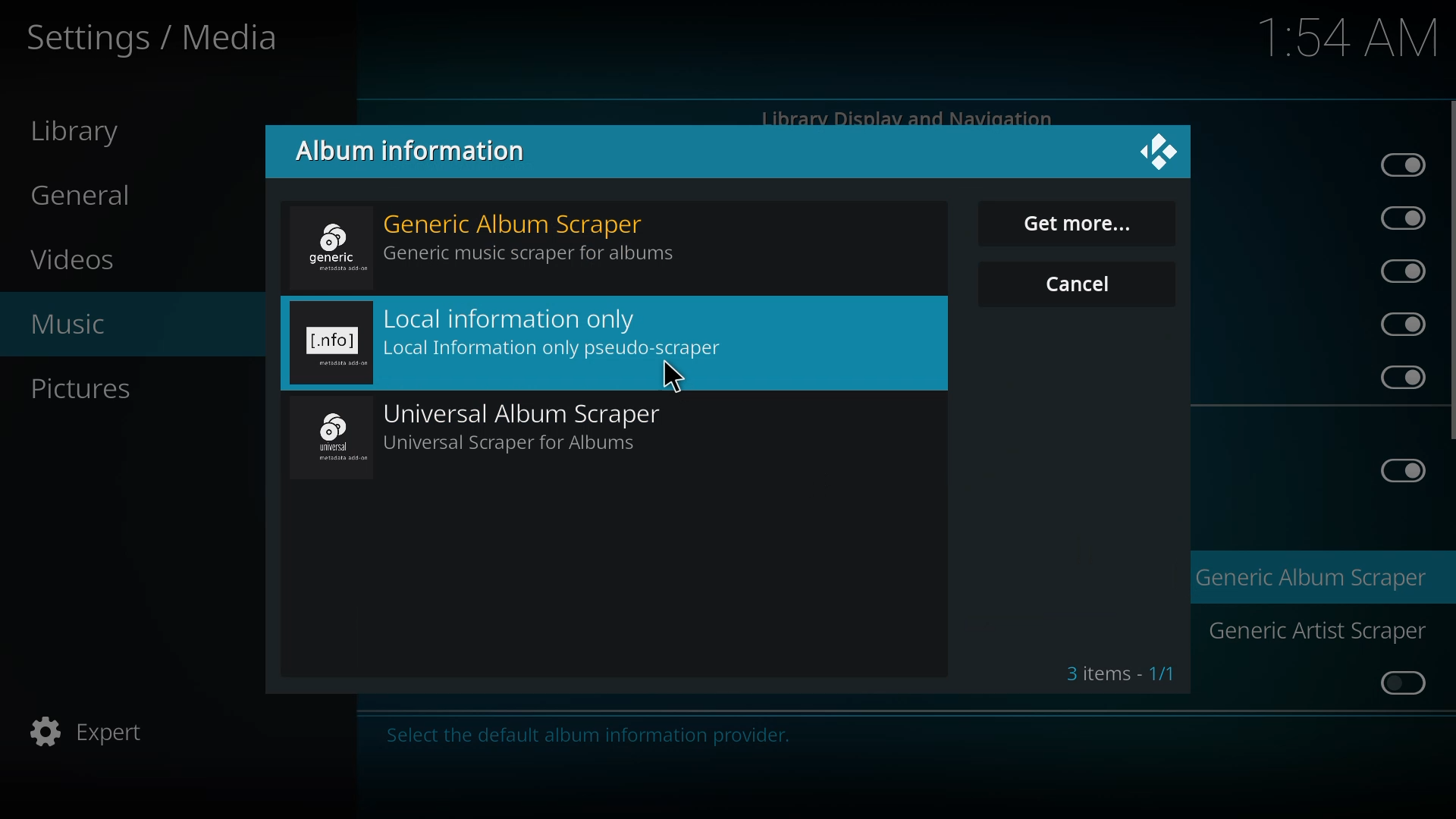 The height and width of the screenshot is (819, 1456). Describe the element at coordinates (1397, 469) in the screenshot. I see `enabled` at that location.